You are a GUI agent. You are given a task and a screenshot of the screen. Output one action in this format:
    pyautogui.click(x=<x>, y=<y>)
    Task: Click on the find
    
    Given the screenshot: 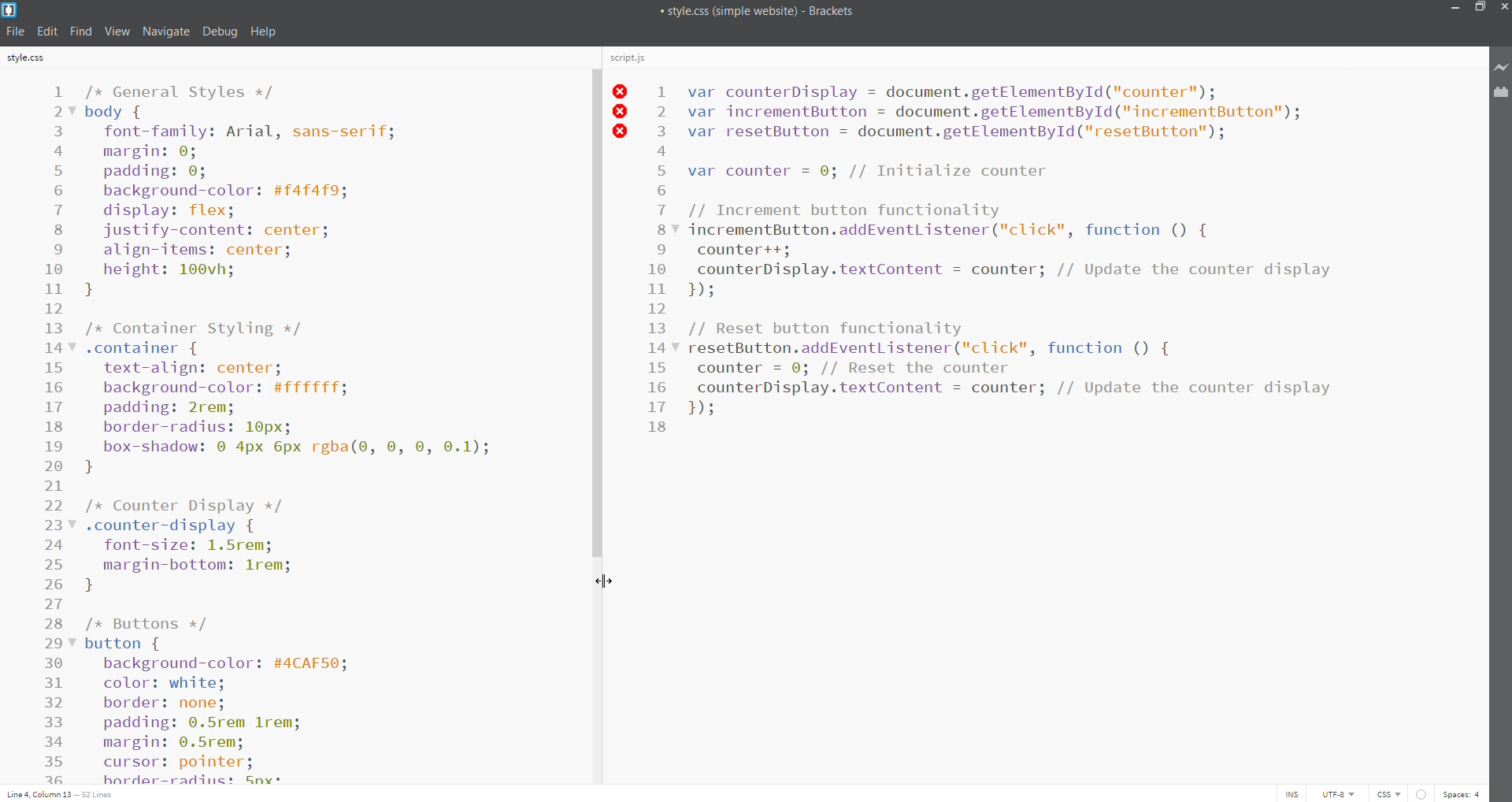 What is the action you would take?
    pyautogui.click(x=80, y=32)
    